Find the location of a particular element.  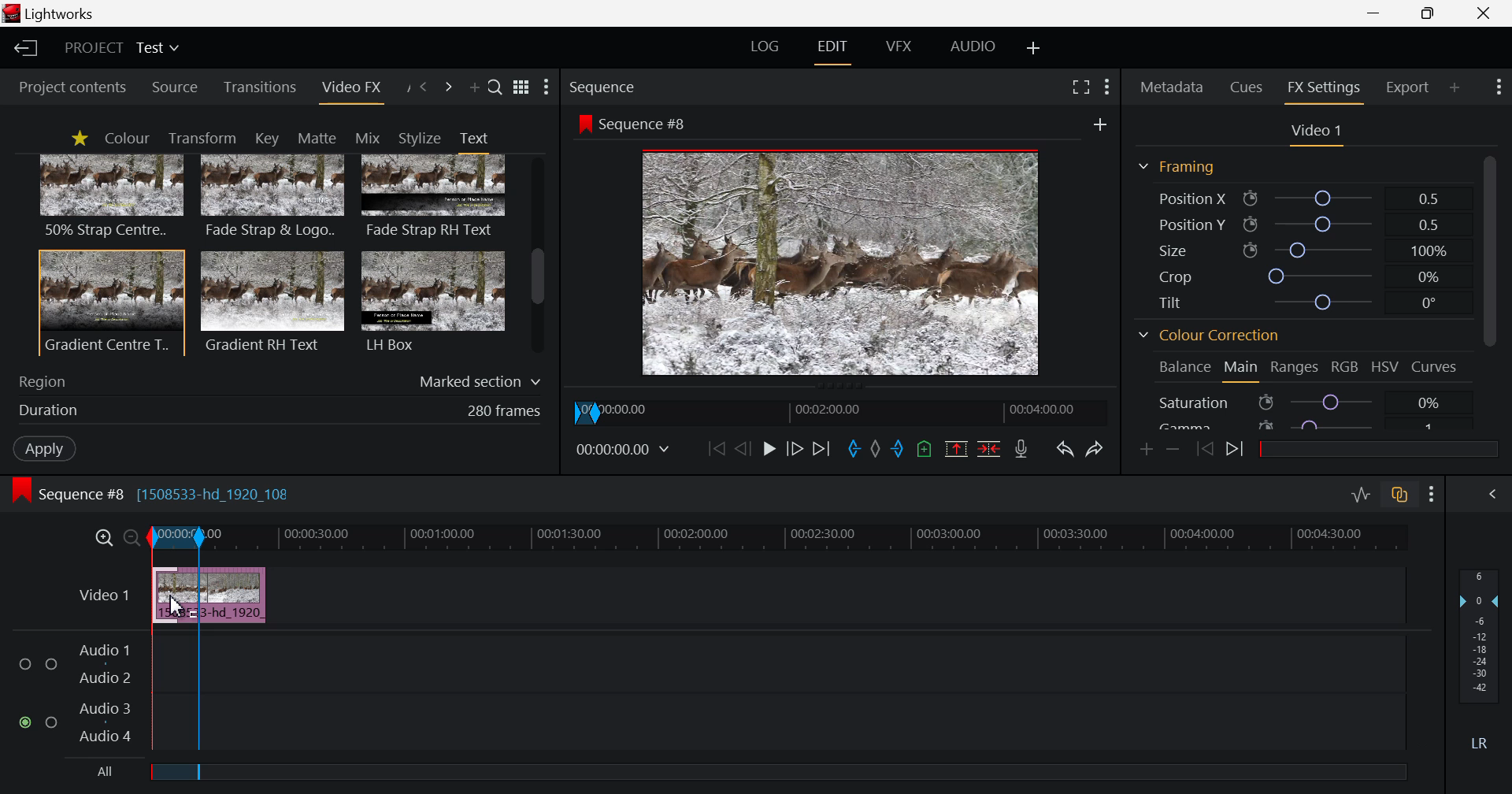

Previous Panel is located at coordinates (424, 86).